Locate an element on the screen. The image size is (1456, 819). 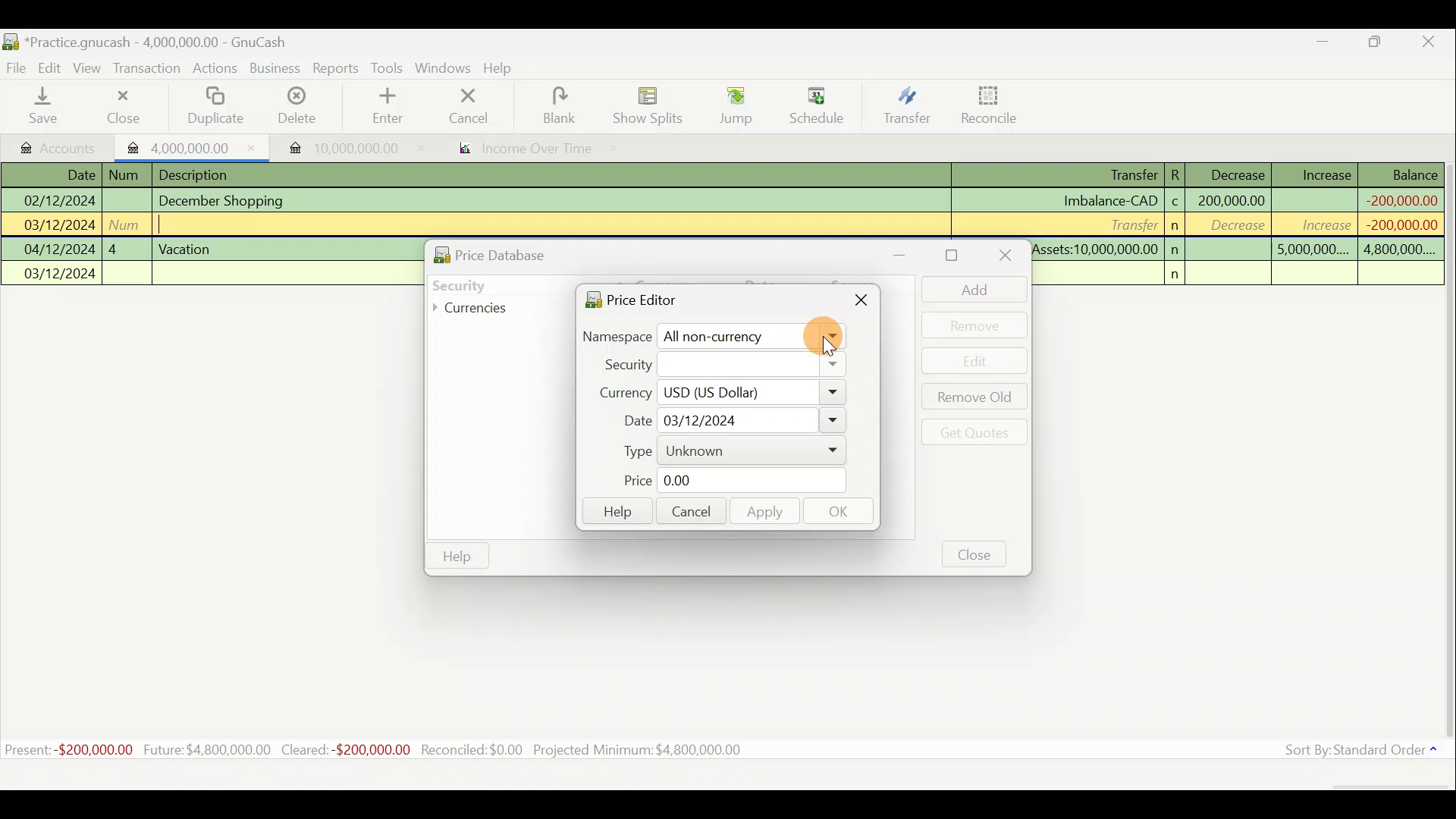
Transfer is located at coordinates (1119, 176).